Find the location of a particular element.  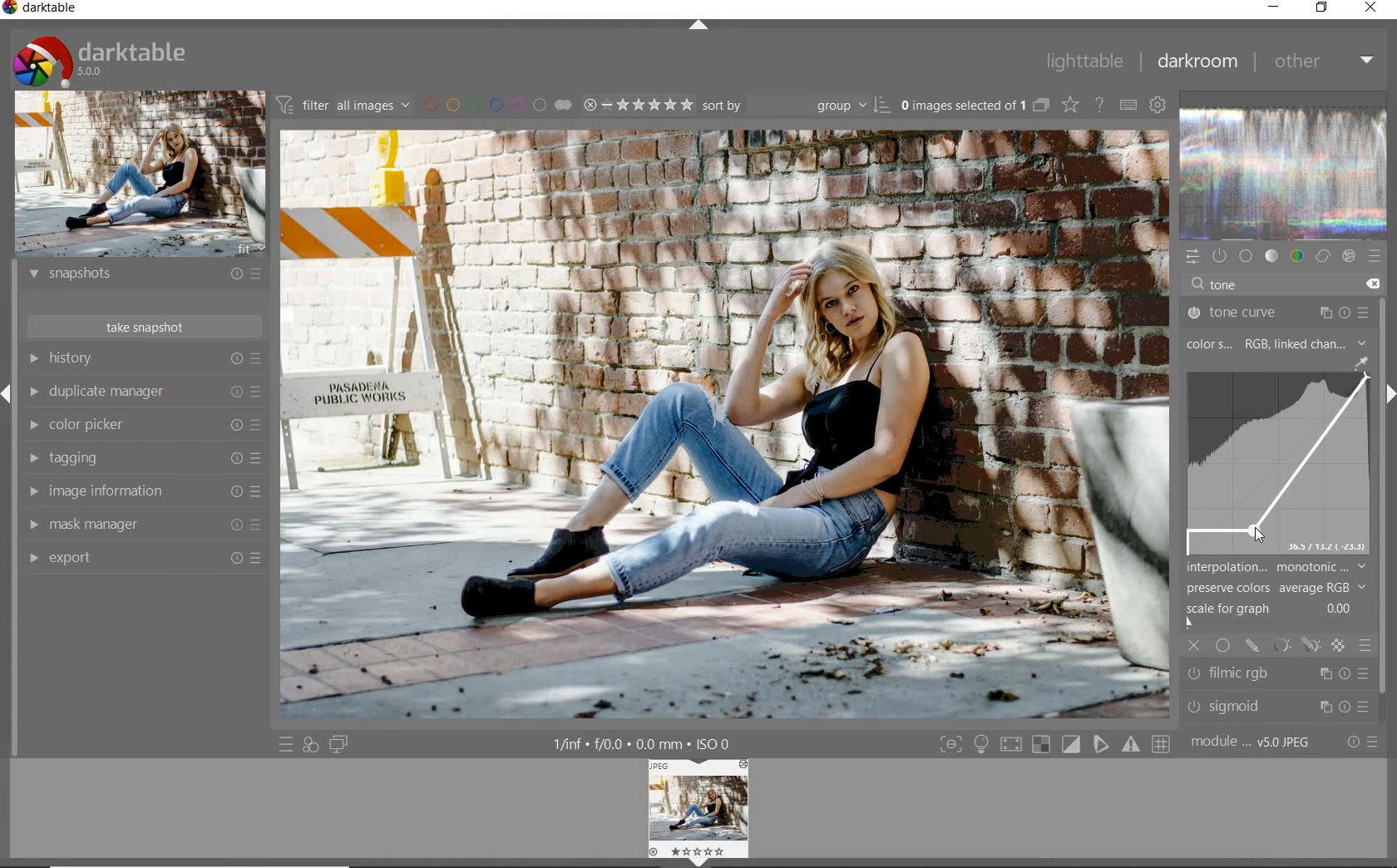

tone curve map is located at coordinates (1278, 465).